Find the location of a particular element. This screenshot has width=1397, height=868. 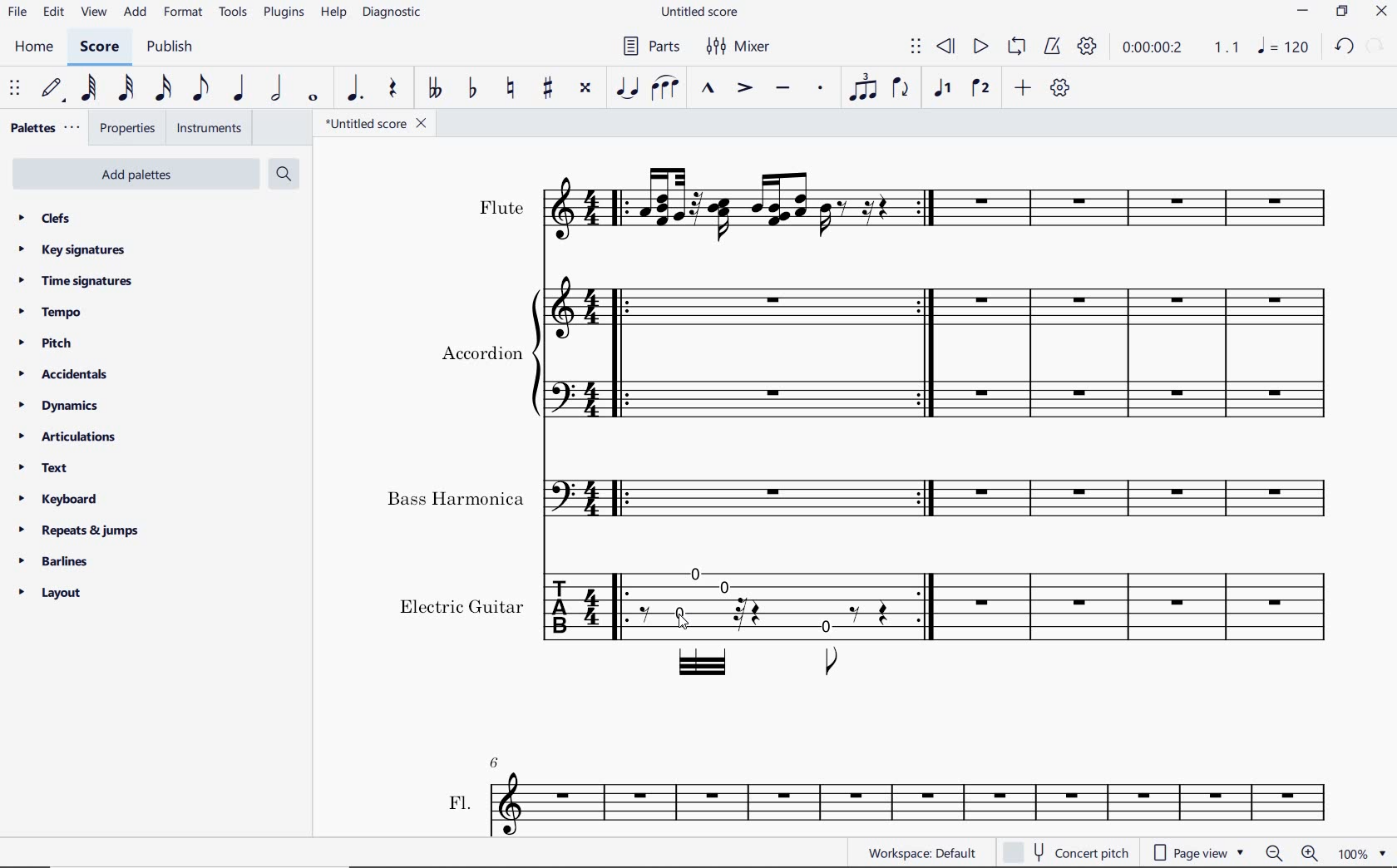

page view is located at coordinates (1199, 853).